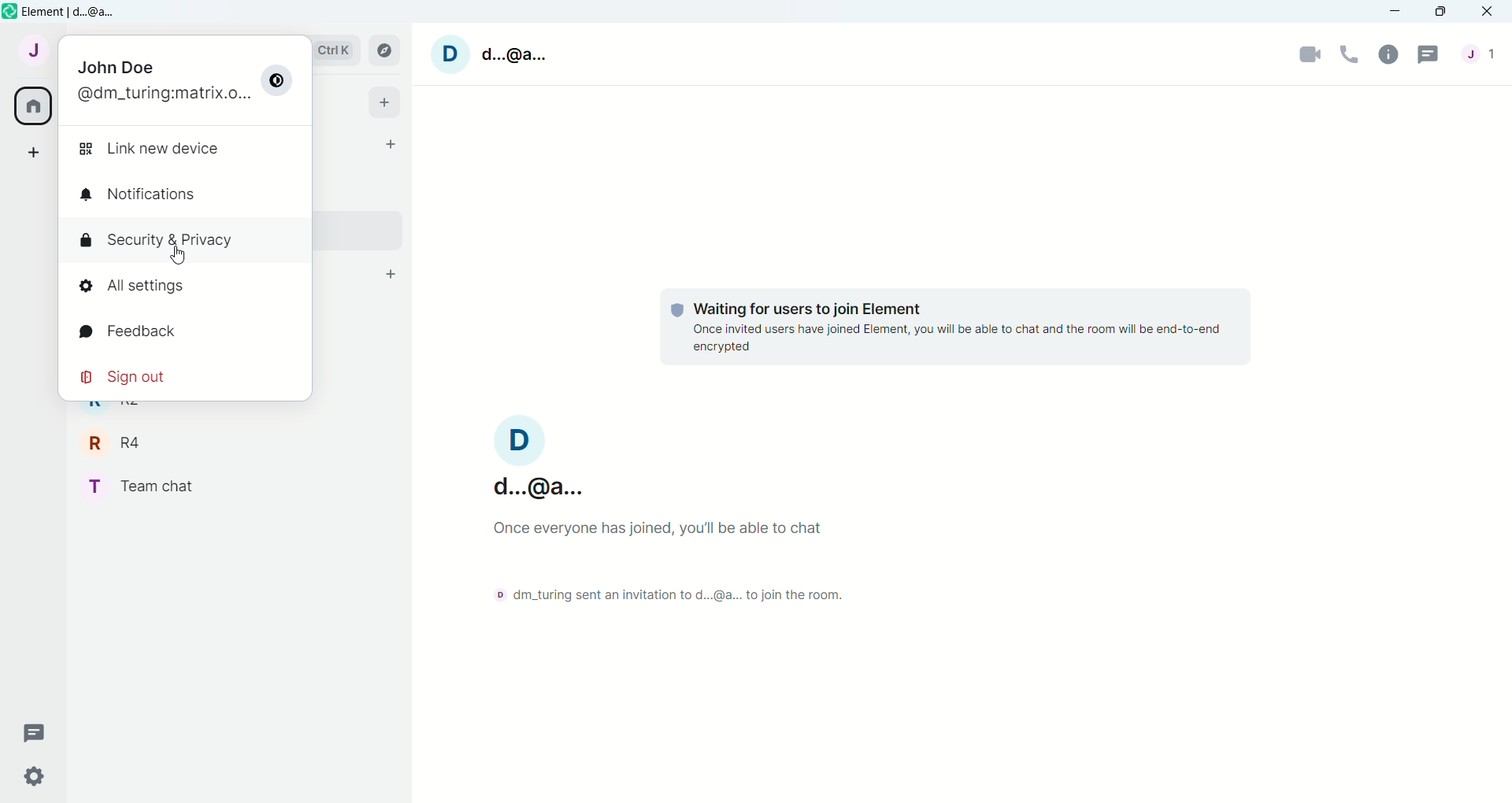  What do you see at coordinates (139, 194) in the screenshot?
I see `Notifications` at bounding box center [139, 194].